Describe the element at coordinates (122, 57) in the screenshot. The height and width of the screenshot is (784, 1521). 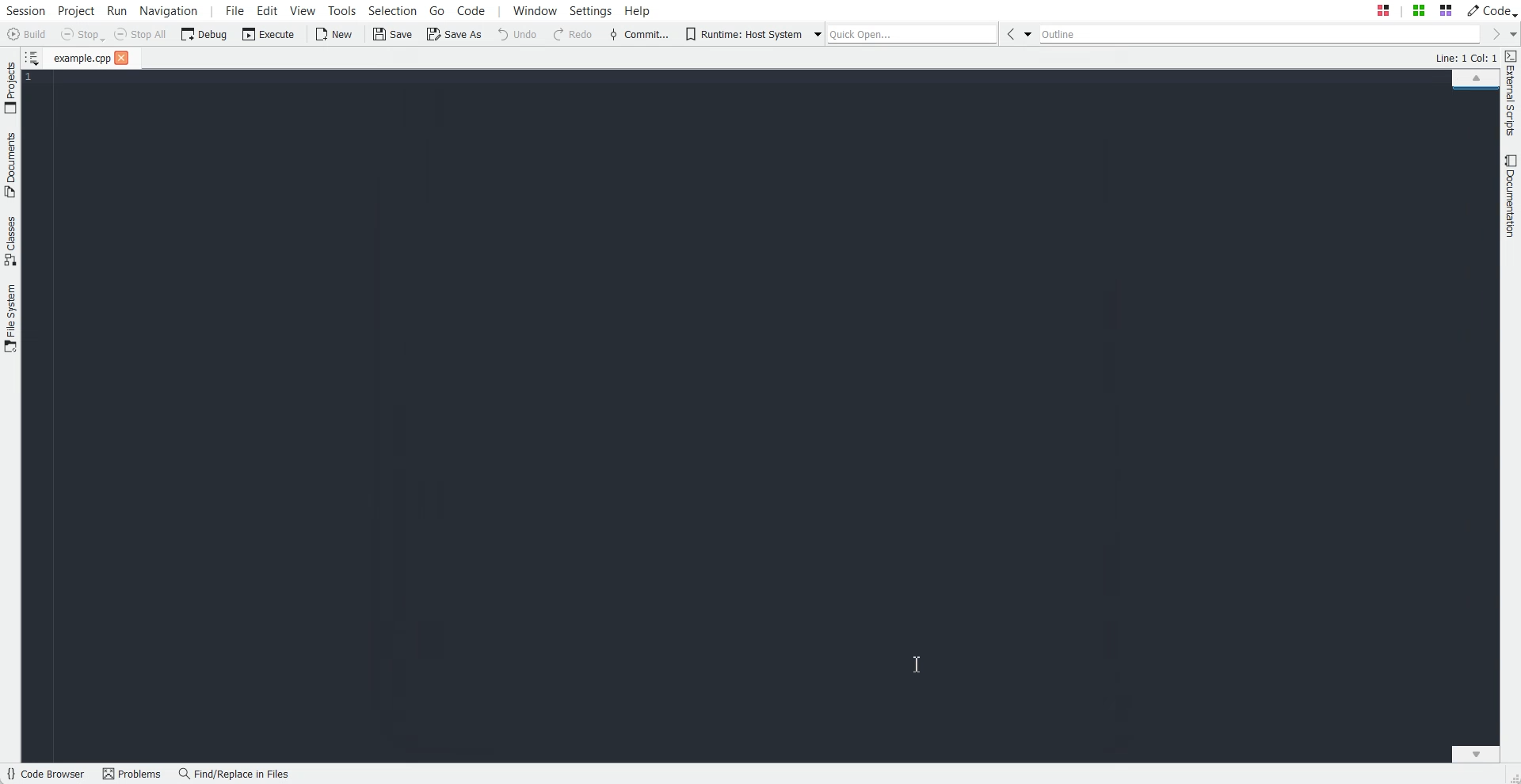
I see `Close` at that location.